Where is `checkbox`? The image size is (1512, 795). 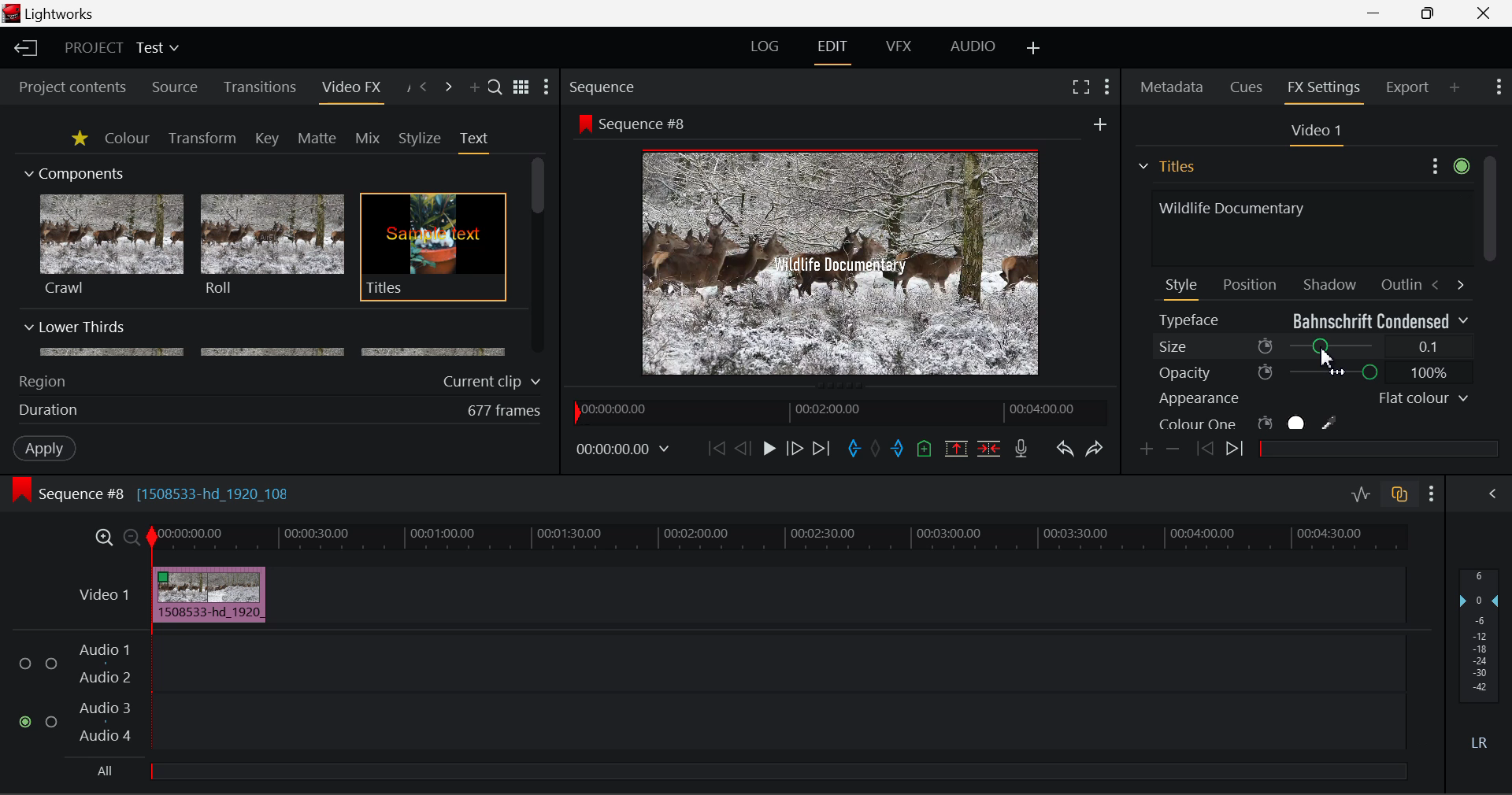 checkbox is located at coordinates (52, 665).